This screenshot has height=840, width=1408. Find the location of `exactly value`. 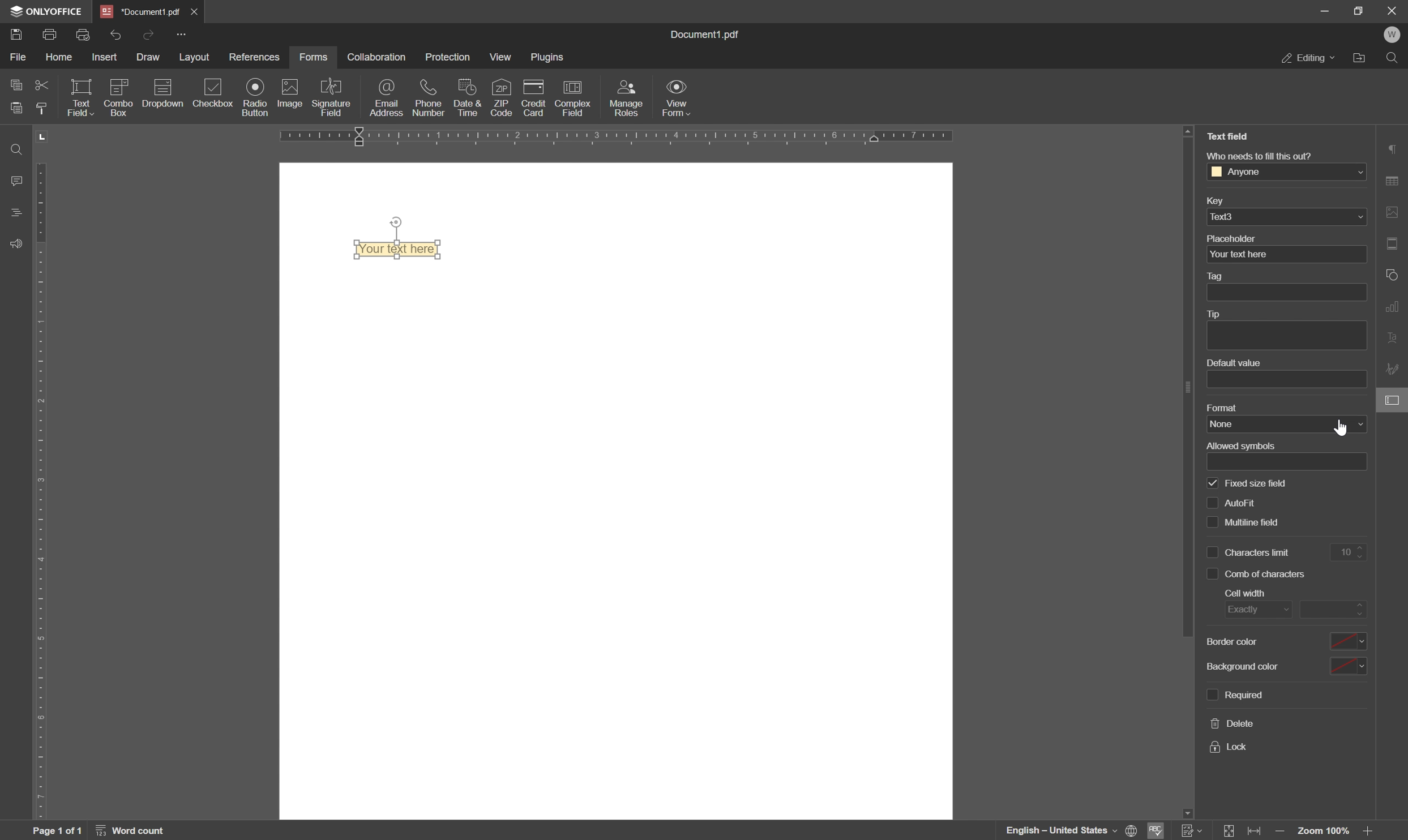

exactly value is located at coordinates (1333, 608).